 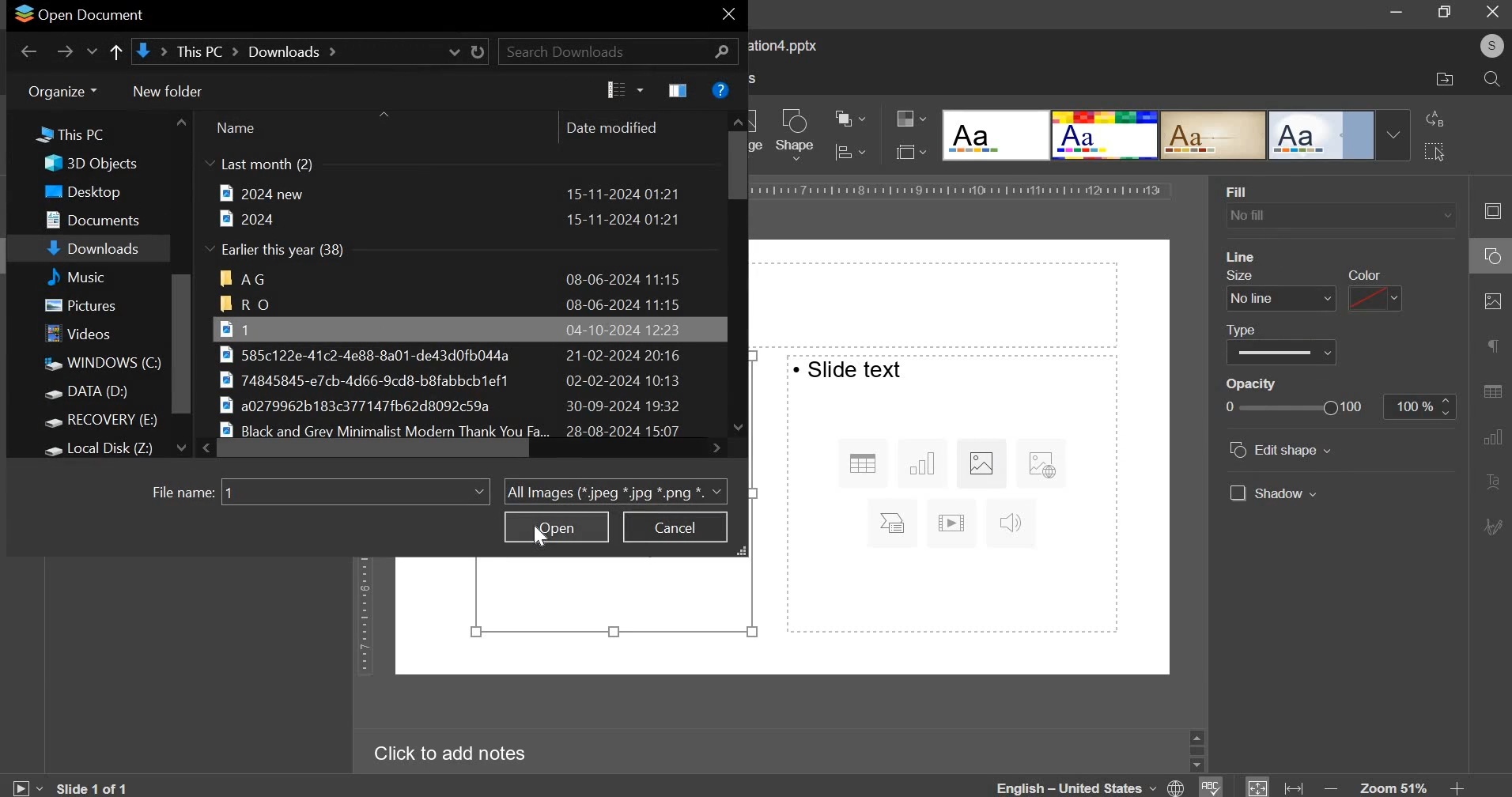 What do you see at coordinates (1434, 150) in the screenshot?
I see `select` at bounding box center [1434, 150].